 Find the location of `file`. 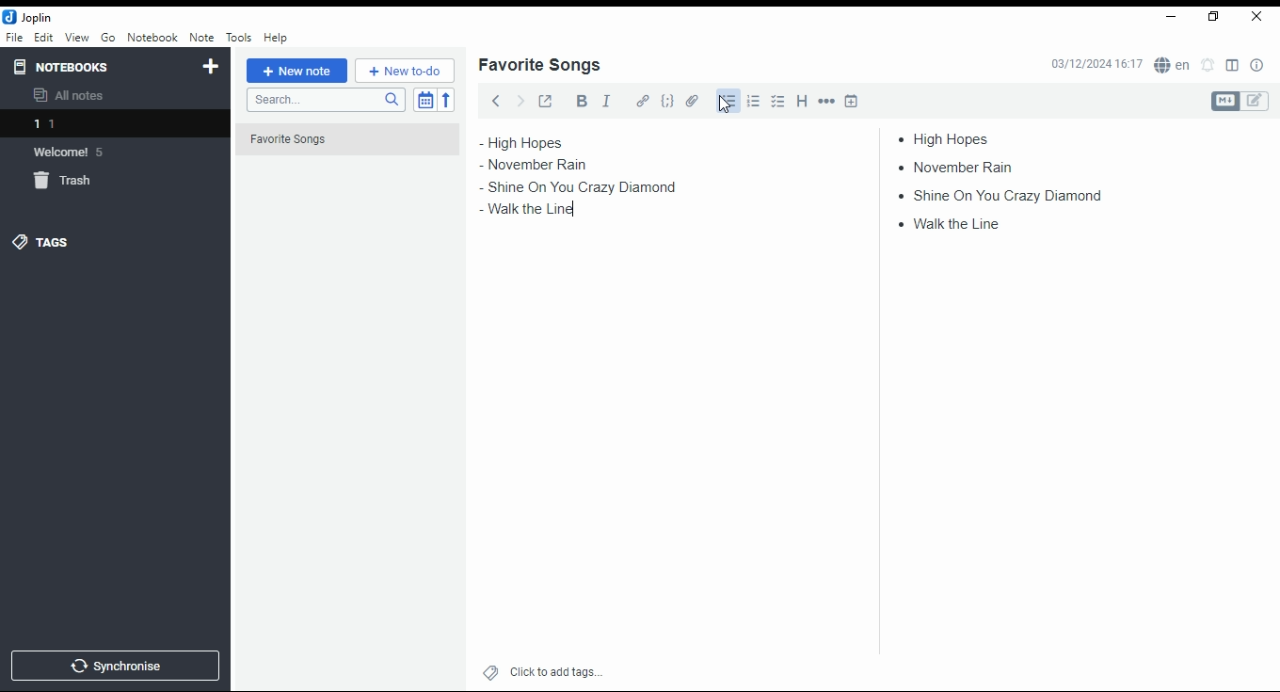

file is located at coordinates (14, 36).